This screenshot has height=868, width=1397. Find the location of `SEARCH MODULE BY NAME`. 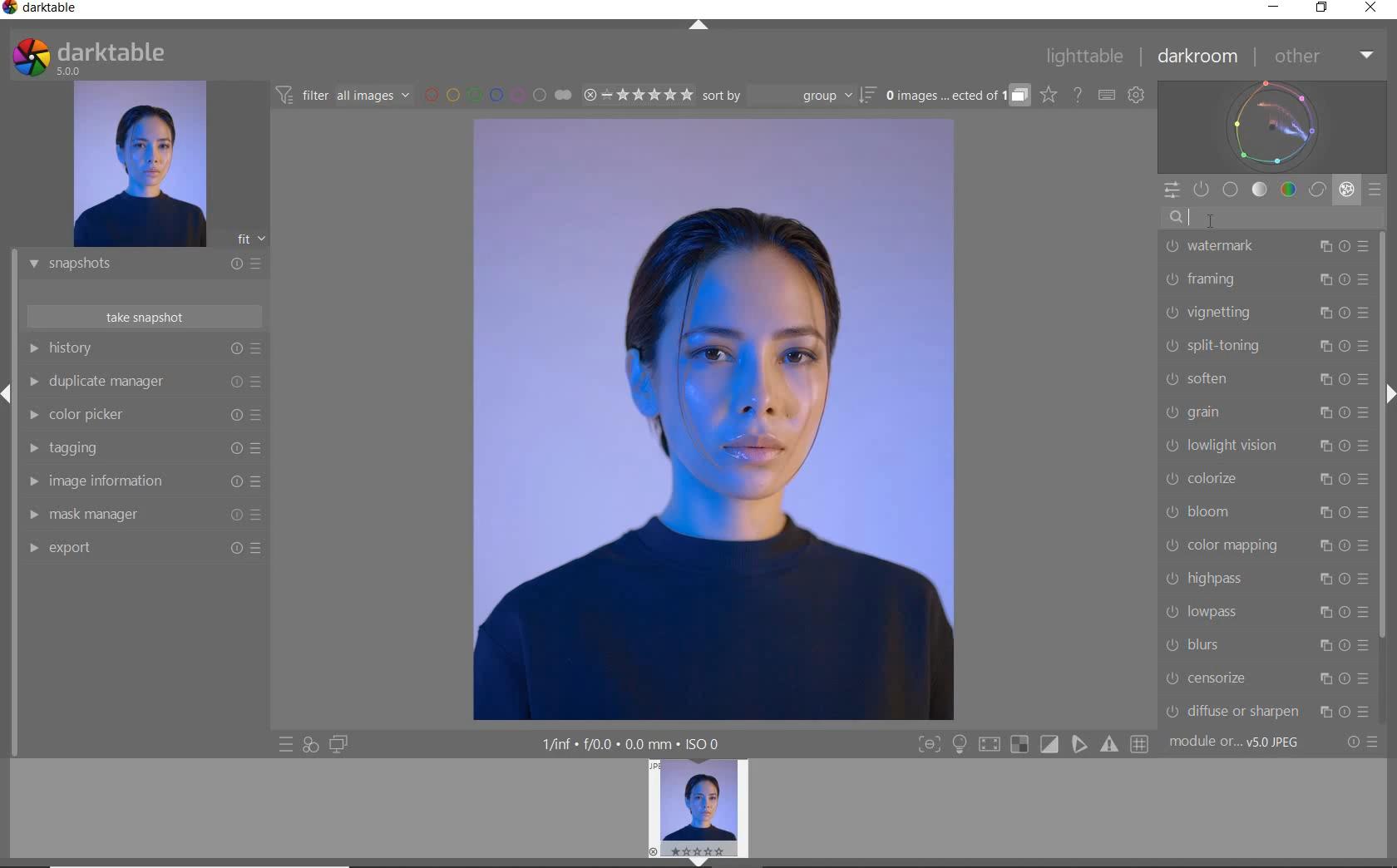

SEARCH MODULE BY NAME is located at coordinates (1271, 217).